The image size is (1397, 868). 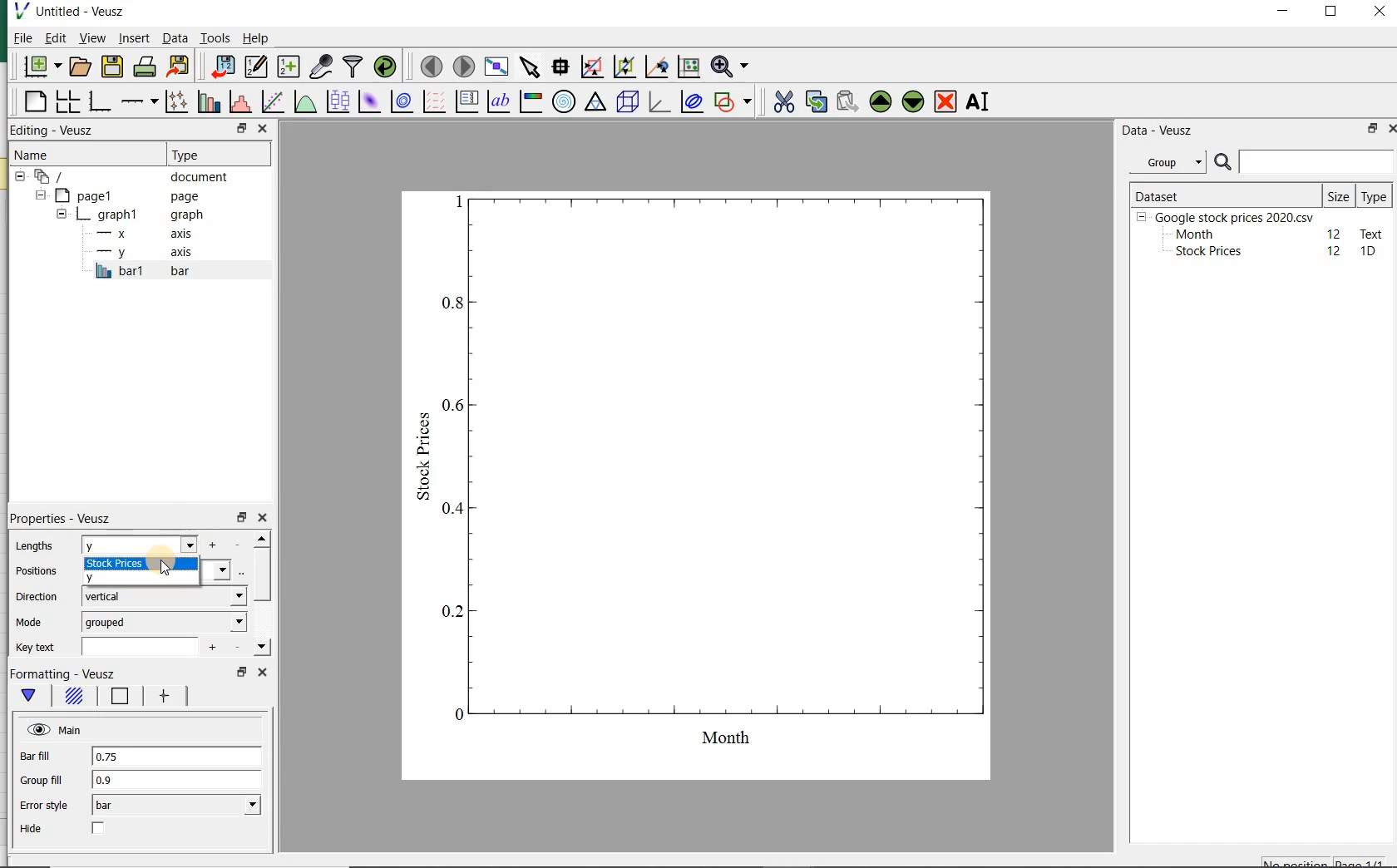 What do you see at coordinates (263, 674) in the screenshot?
I see `close` at bounding box center [263, 674].